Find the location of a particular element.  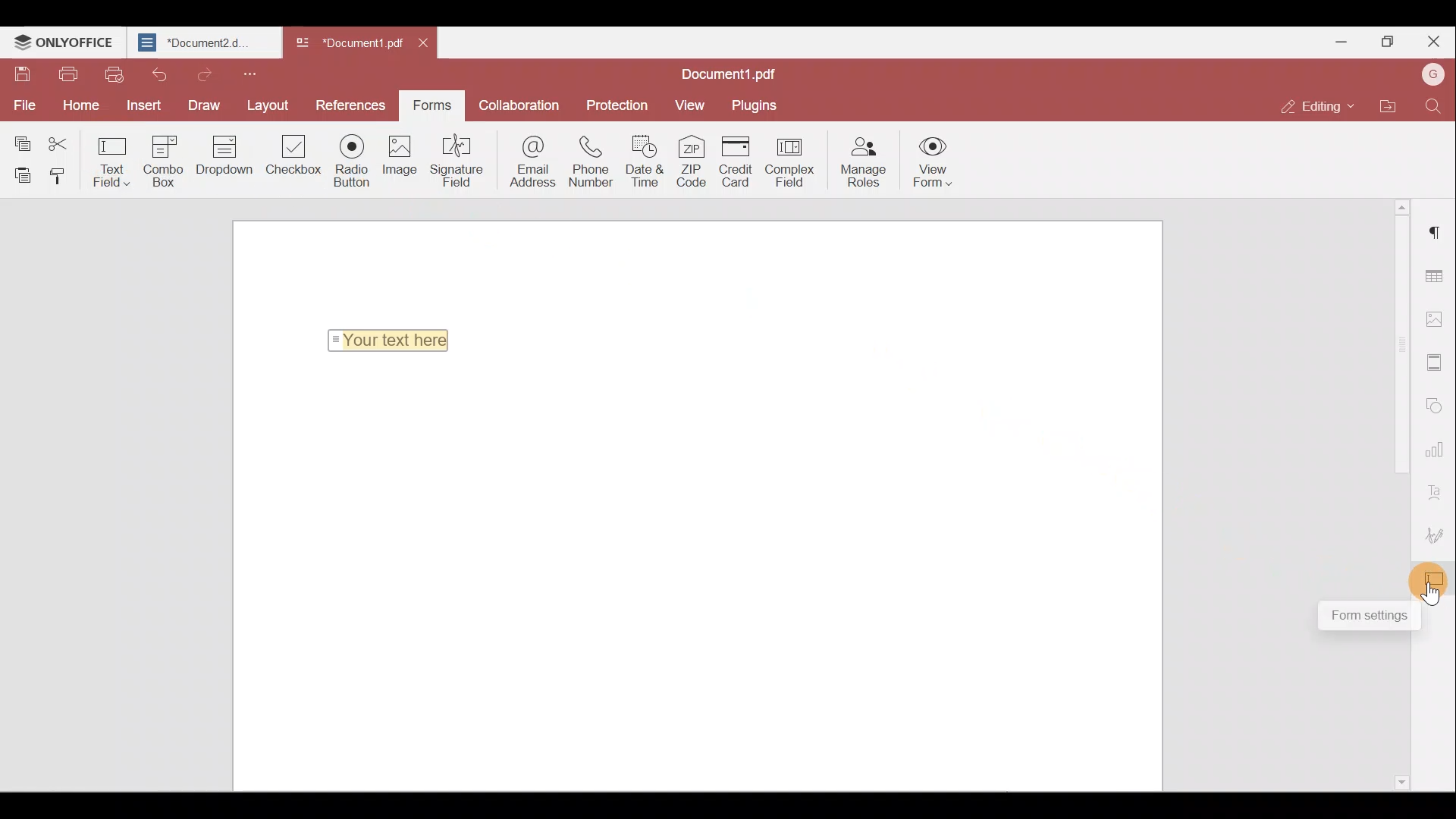

Signature field is located at coordinates (460, 162).